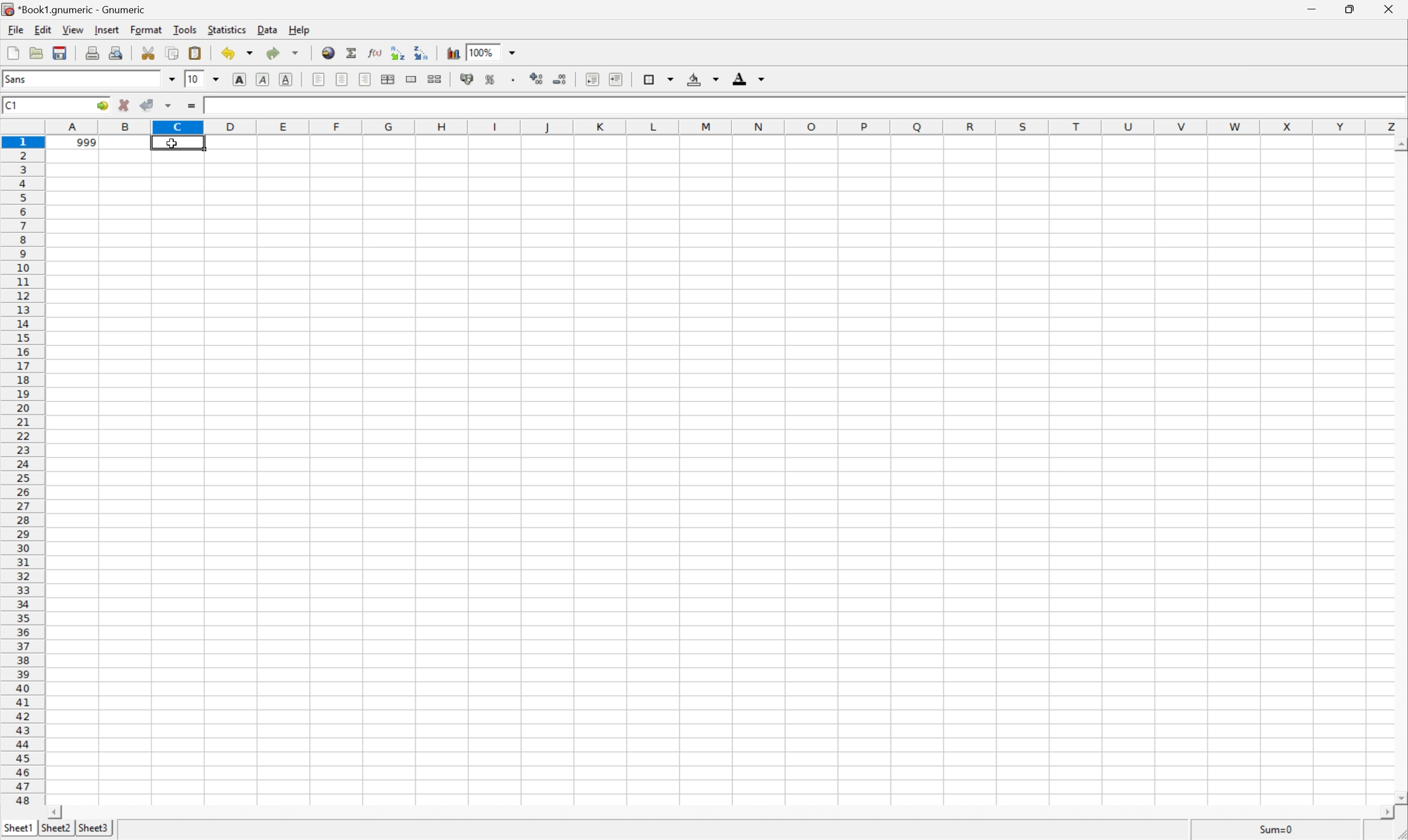 The width and height of the screenshot is (1408, 840). What do you see at coordinates (704, 80) in the screenshot?
I see `background` at bounding box center [704, 80].